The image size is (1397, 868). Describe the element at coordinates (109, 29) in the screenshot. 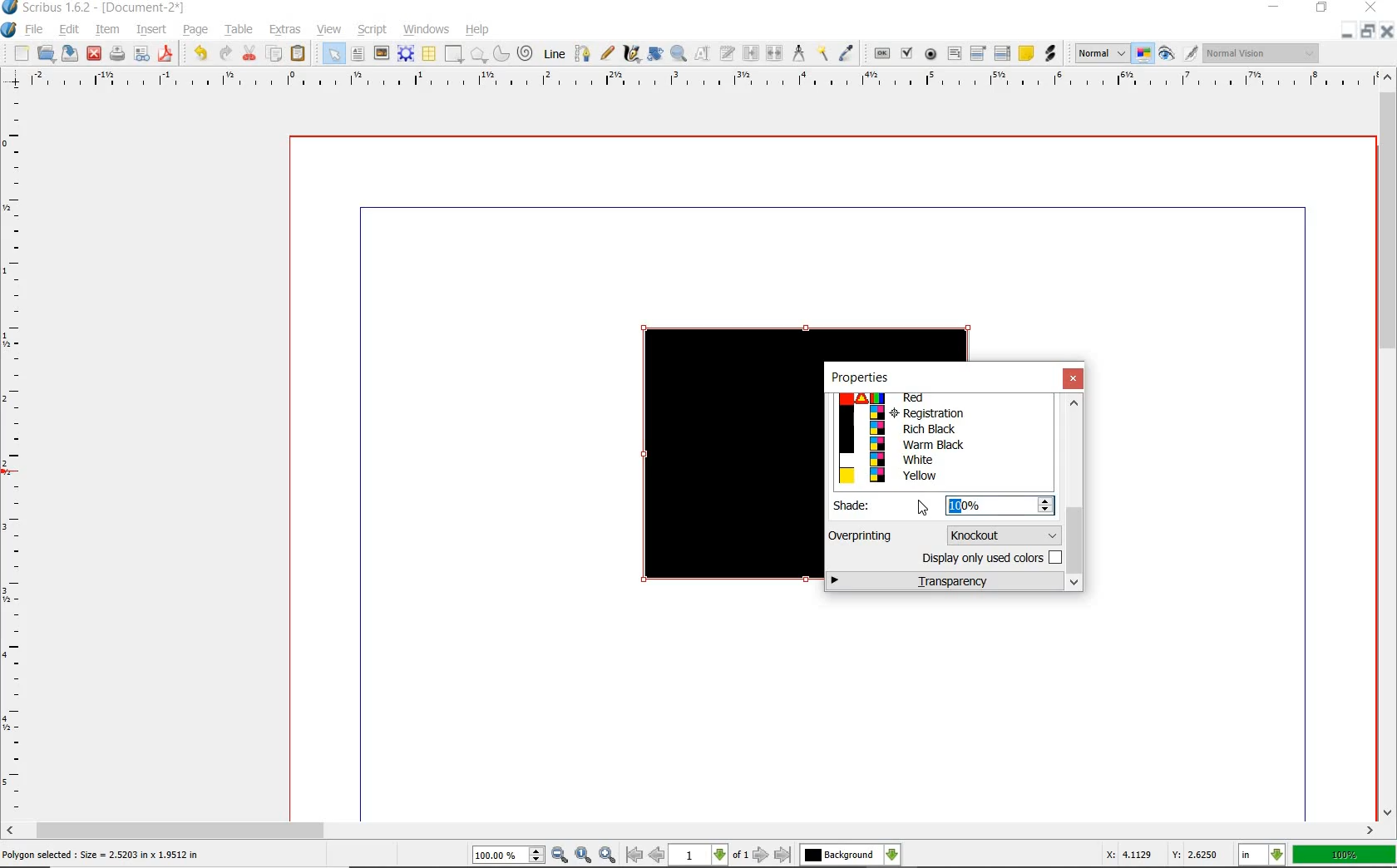

I see `item` at that location.